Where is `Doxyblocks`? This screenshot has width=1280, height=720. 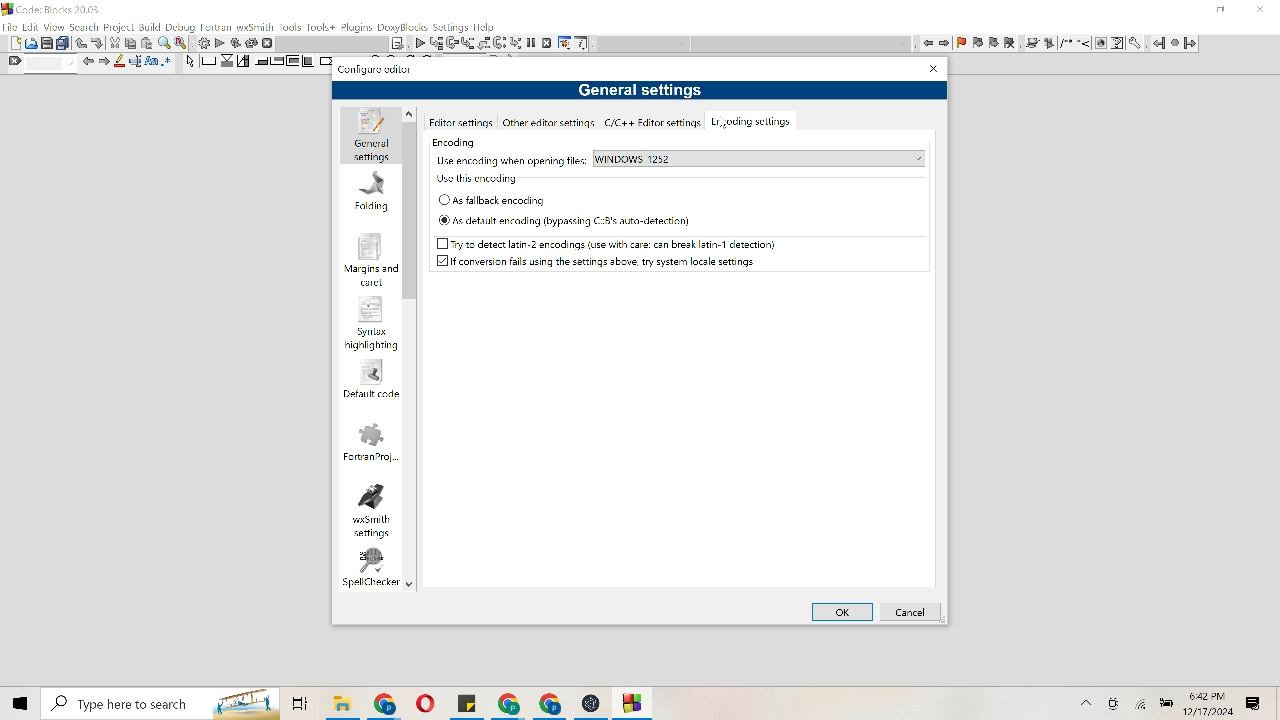
Doxyblocks is located at coordinates (403, 28).